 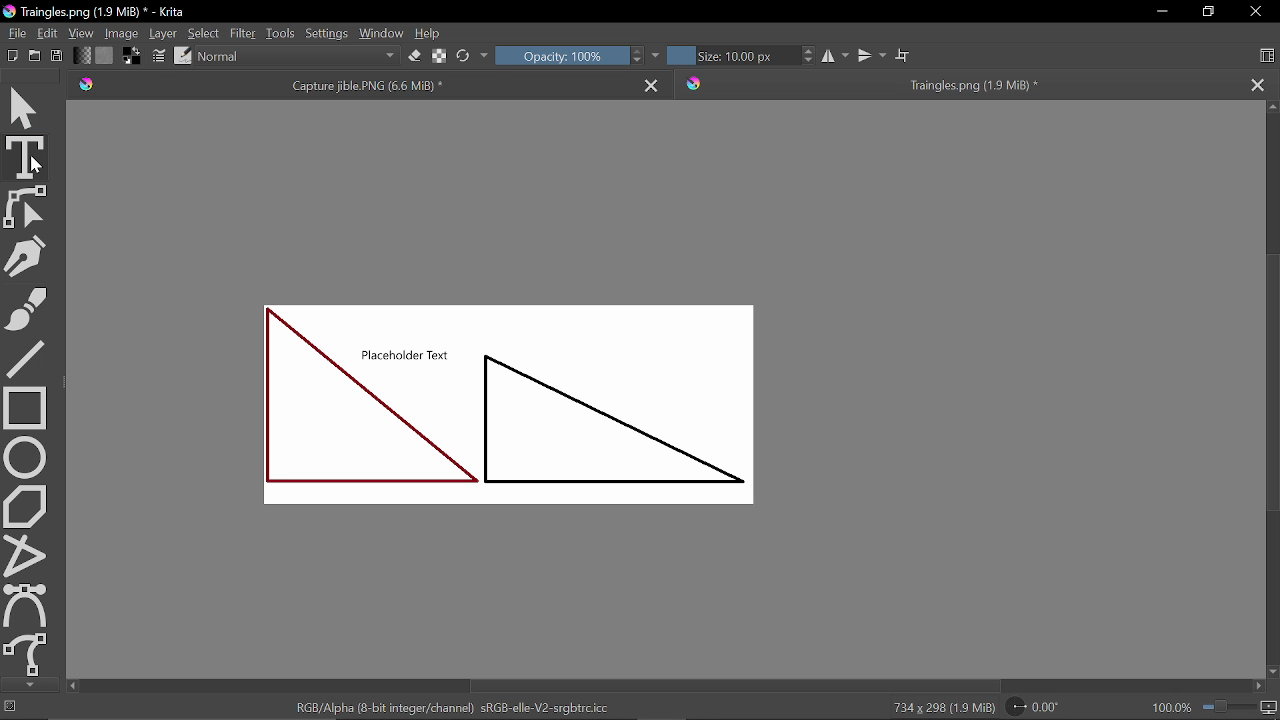 I want to click on Move up, so click(x=1272, y=107).